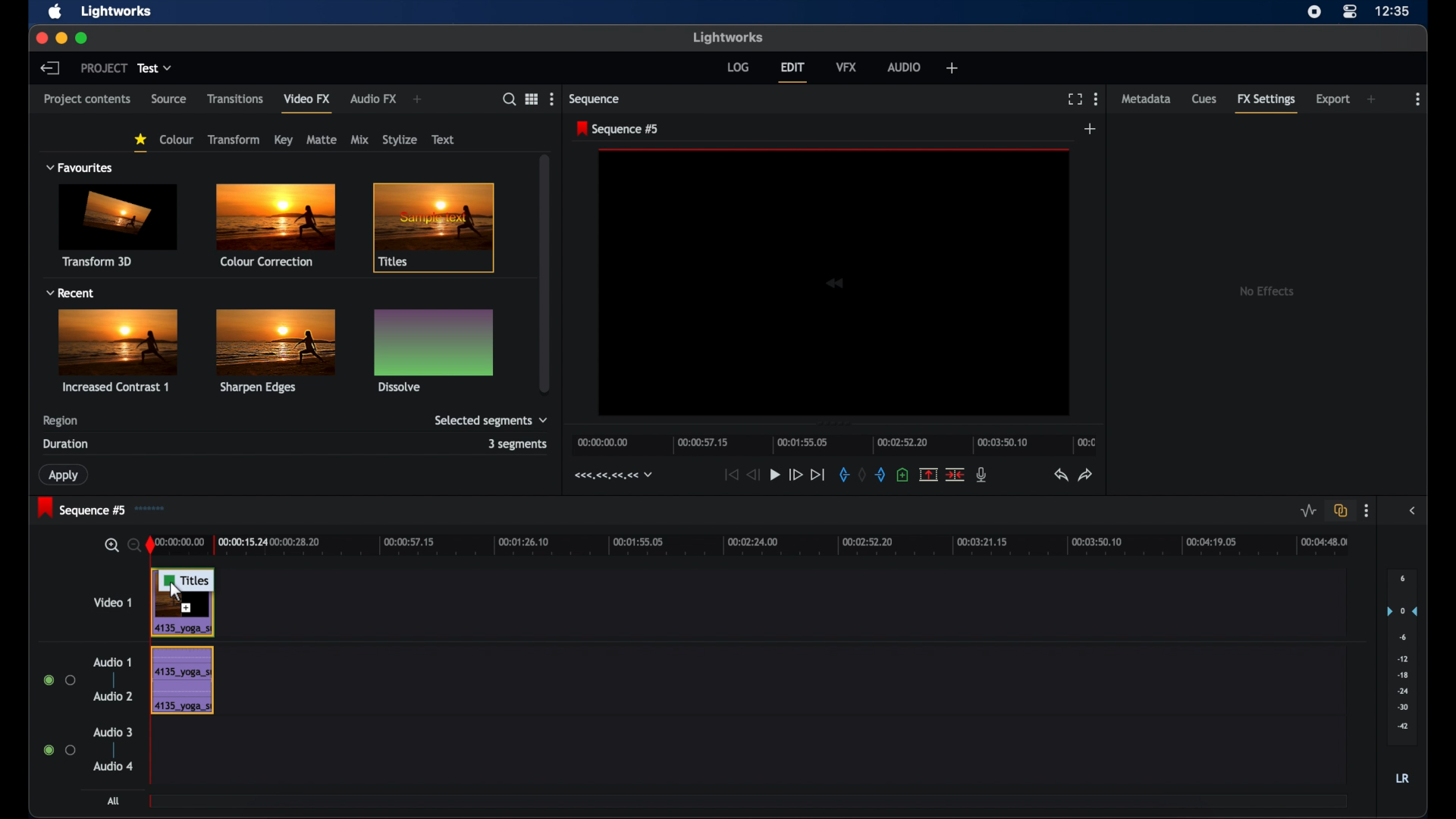  What do you see at coordinates (793, 72) in the screenshot?
I see `edit` at bounding box center [793, 72].